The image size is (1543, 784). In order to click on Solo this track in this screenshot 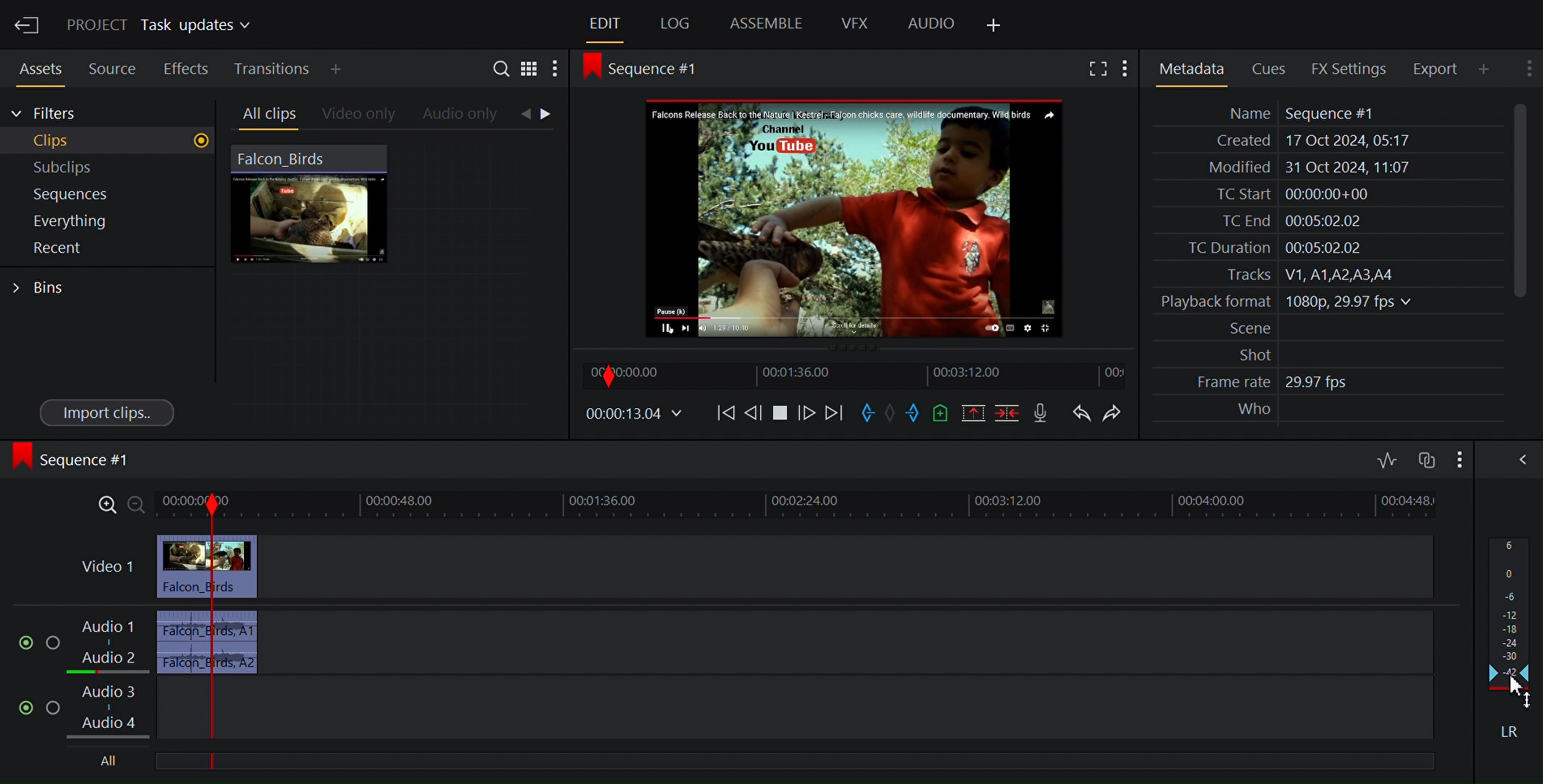, I will do `click(53, 638)`.